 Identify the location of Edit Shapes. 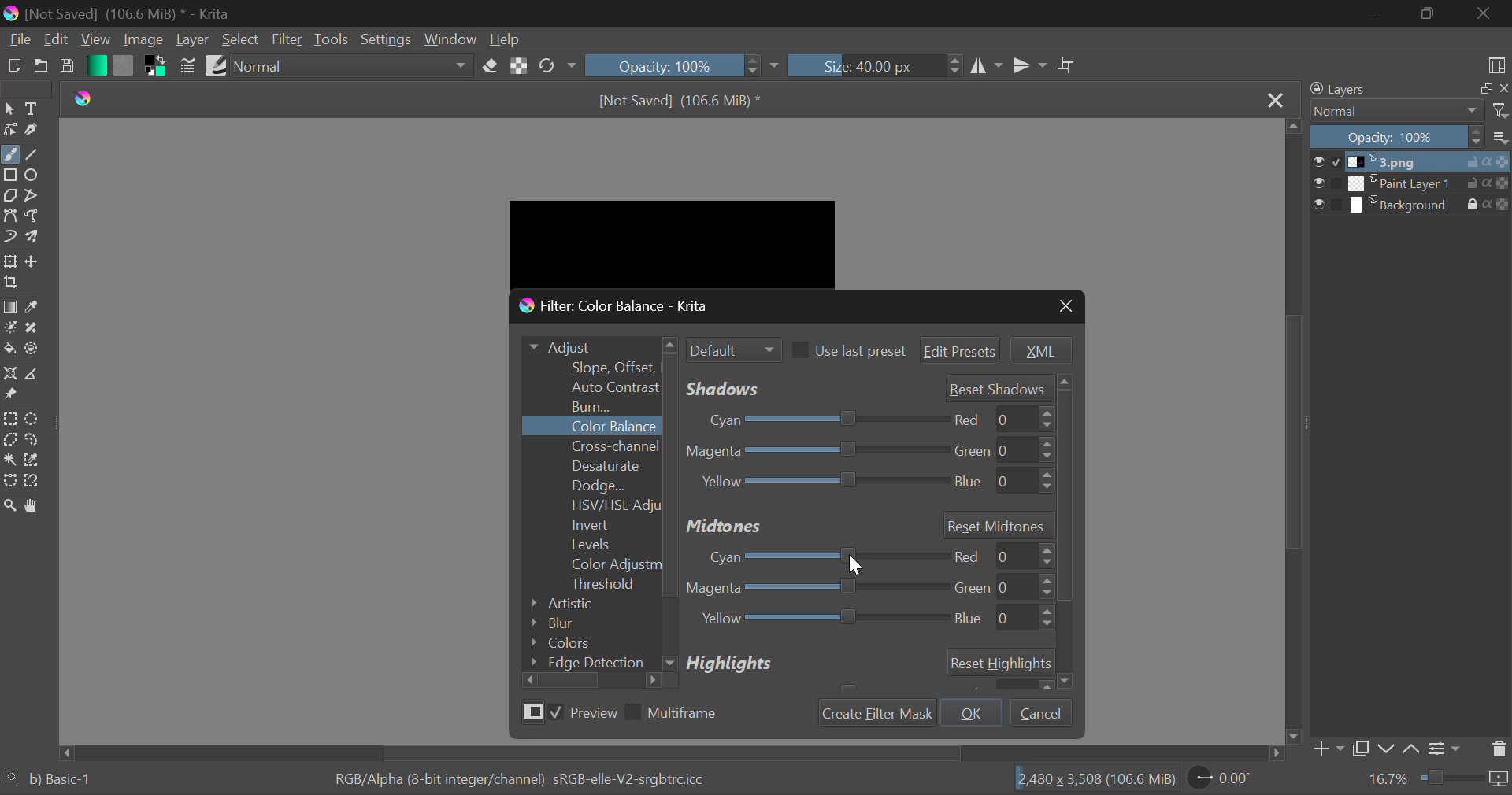
(10, 130).